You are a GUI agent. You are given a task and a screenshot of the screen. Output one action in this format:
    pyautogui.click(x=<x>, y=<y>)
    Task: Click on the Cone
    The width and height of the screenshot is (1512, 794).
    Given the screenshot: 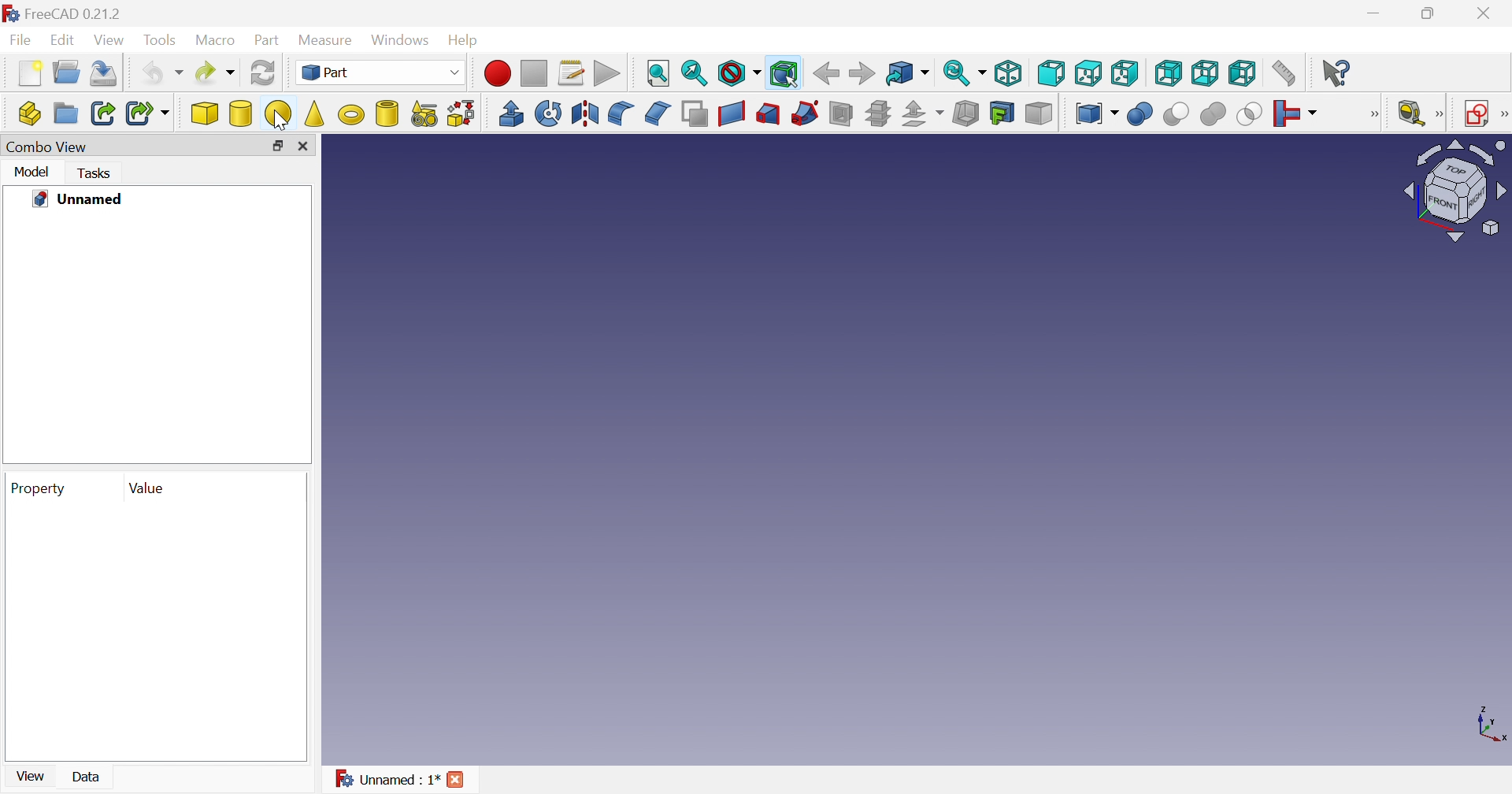 What is the action you would take?
    pyautogui.click(x=314, y=114)
    